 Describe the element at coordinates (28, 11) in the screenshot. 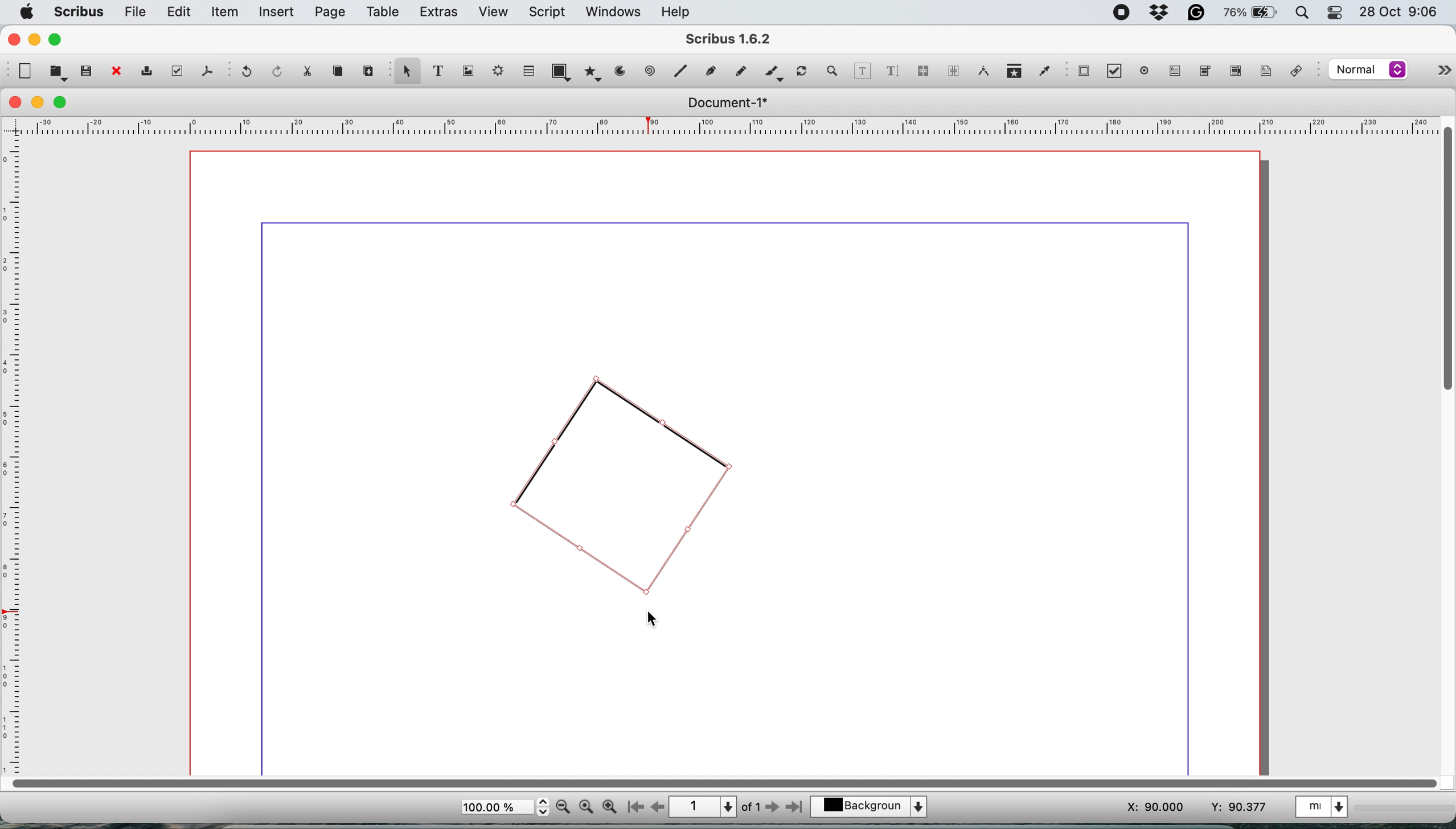

I see `system logo` at that location.